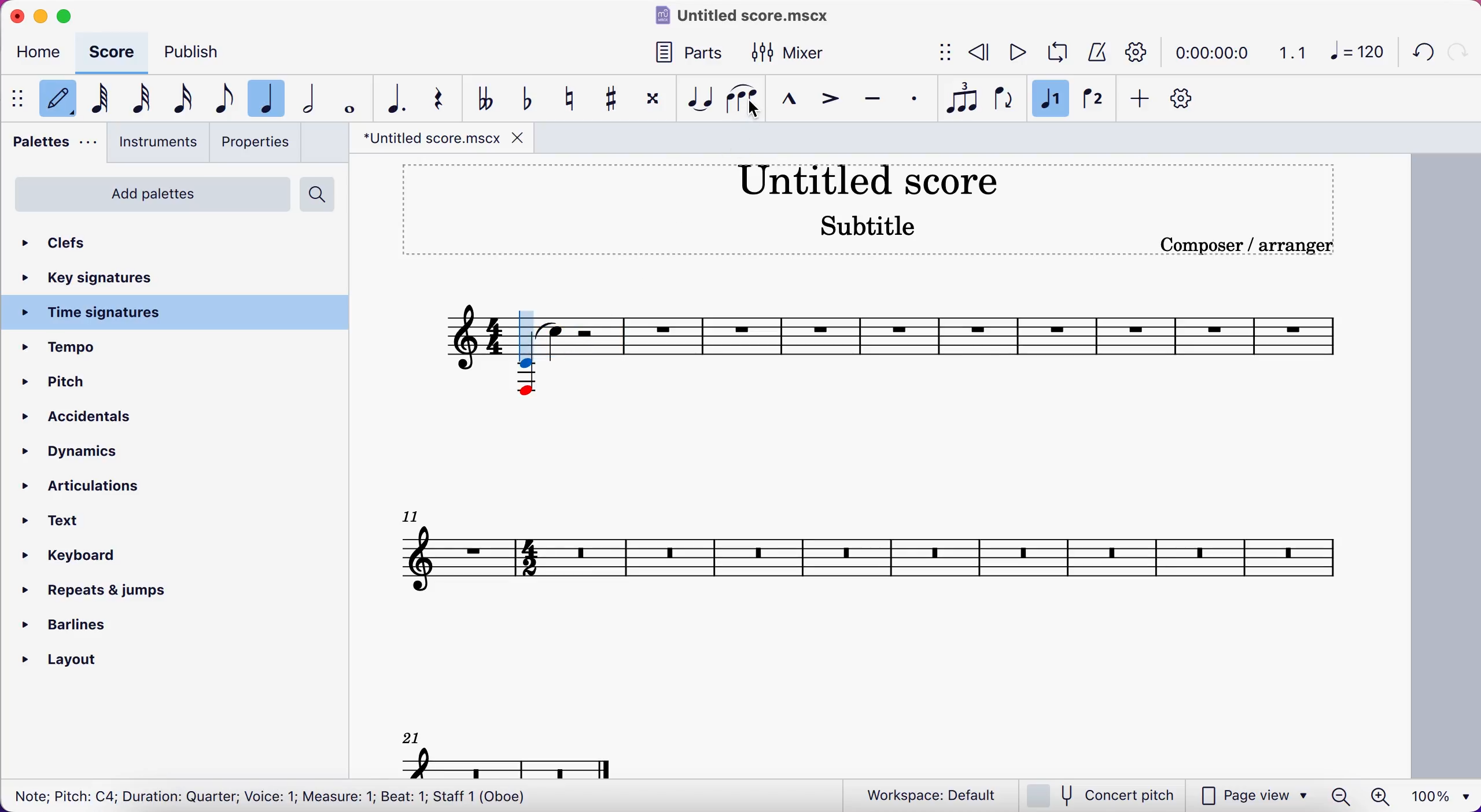  I want to click on toggle sharp, so click(611, 101).